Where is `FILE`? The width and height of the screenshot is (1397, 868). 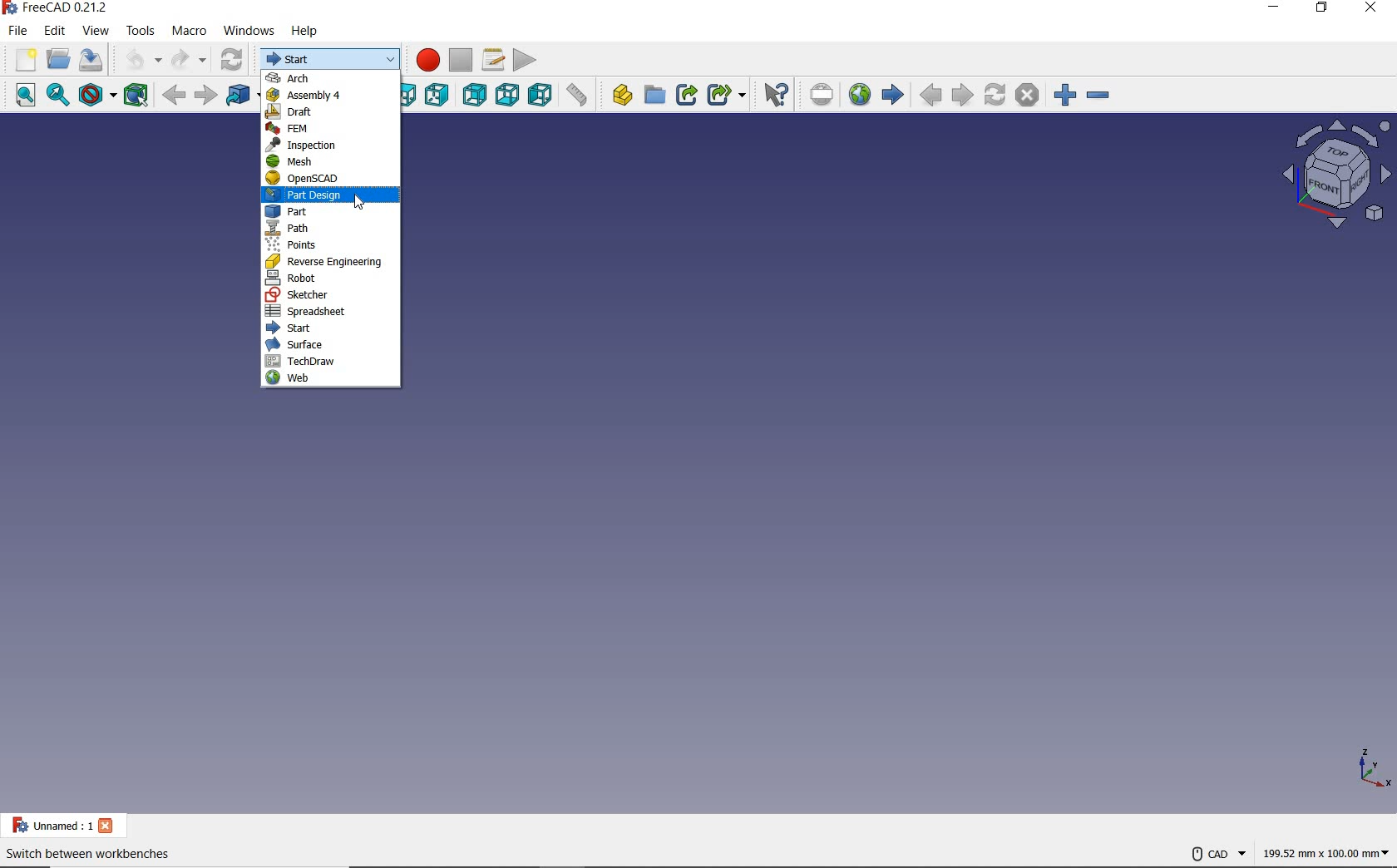
FILE is located at coordinates (17, 31).